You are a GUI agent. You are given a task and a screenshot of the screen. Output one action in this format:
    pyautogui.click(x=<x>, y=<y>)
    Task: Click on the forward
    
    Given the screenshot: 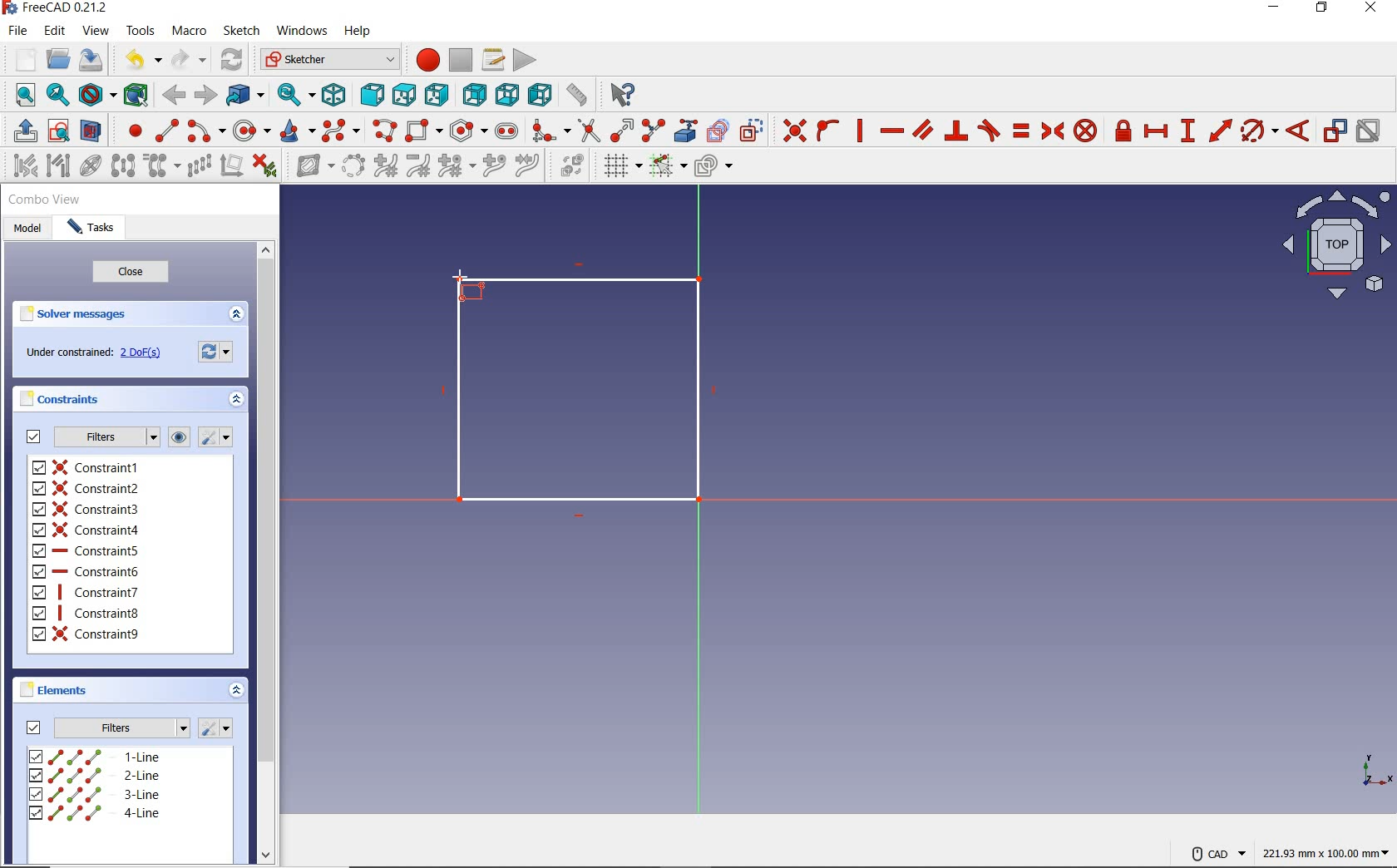 What is the action you would take?
    pyautogui.click(x=206, y=96)
    